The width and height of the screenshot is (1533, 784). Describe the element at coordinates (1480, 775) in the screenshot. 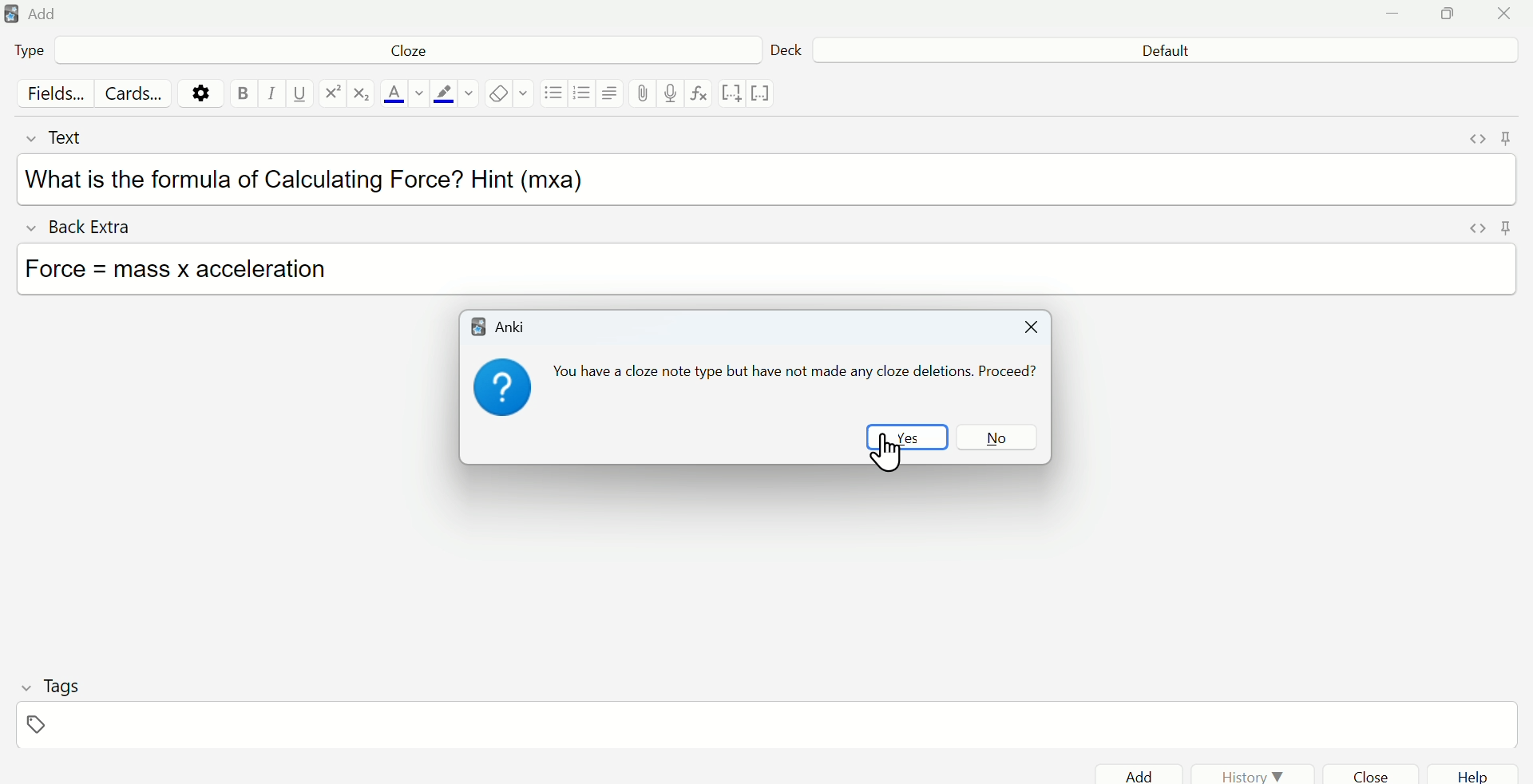

I see `help` at that location.